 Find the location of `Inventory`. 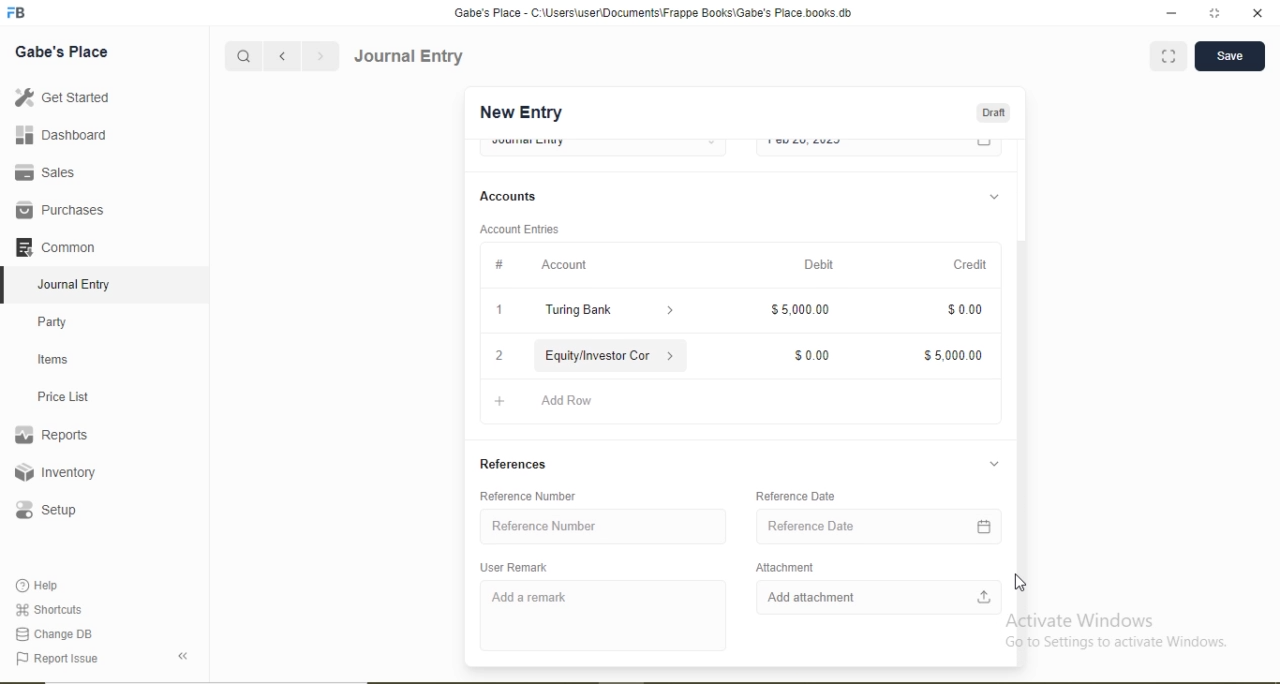

Inventory is located at coordinates (56, 472).